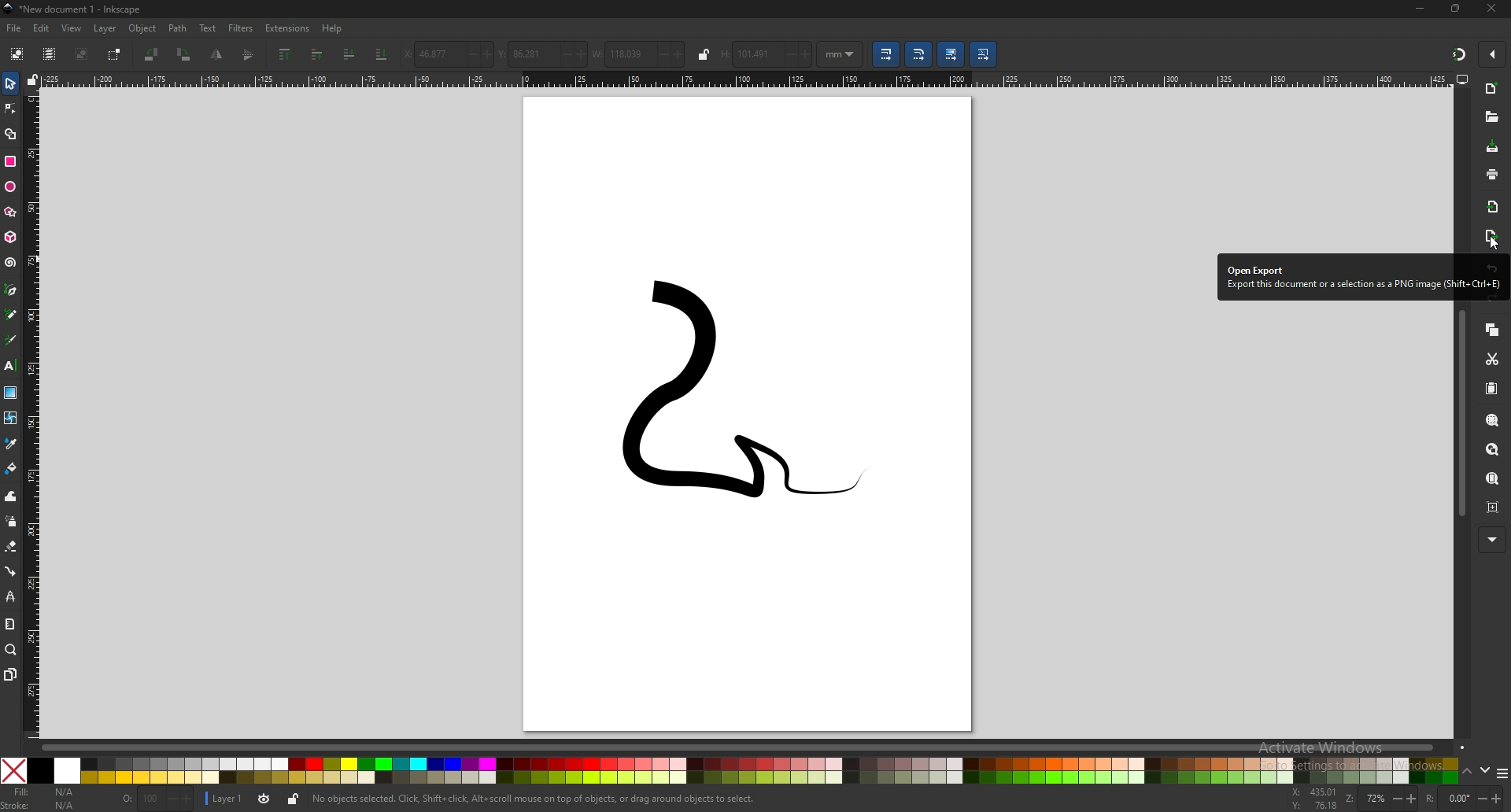  Describe the element at coordinates (10, 133) in the screenshot. I see `shape builder` at that location.